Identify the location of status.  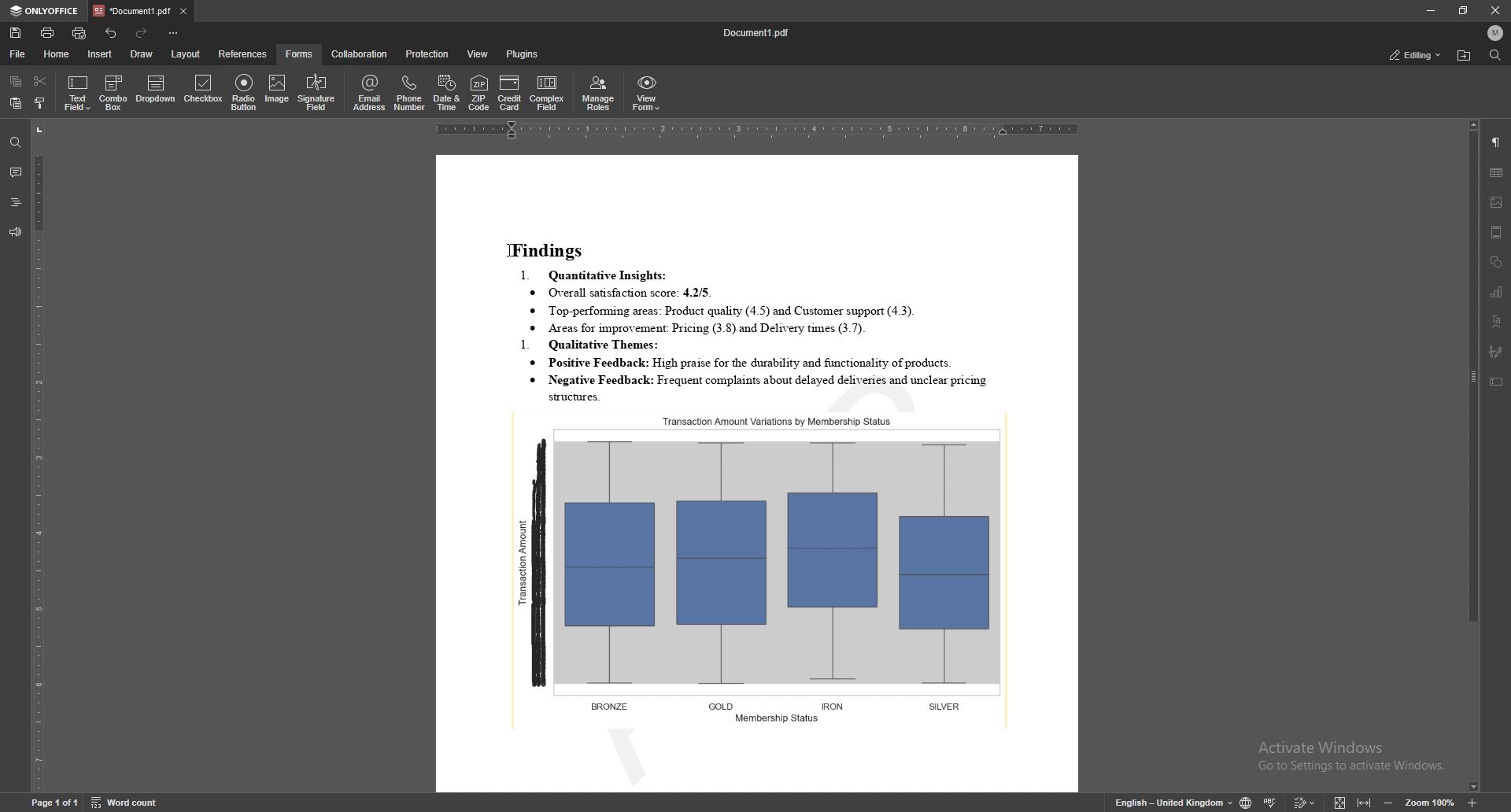
(1416, 55).